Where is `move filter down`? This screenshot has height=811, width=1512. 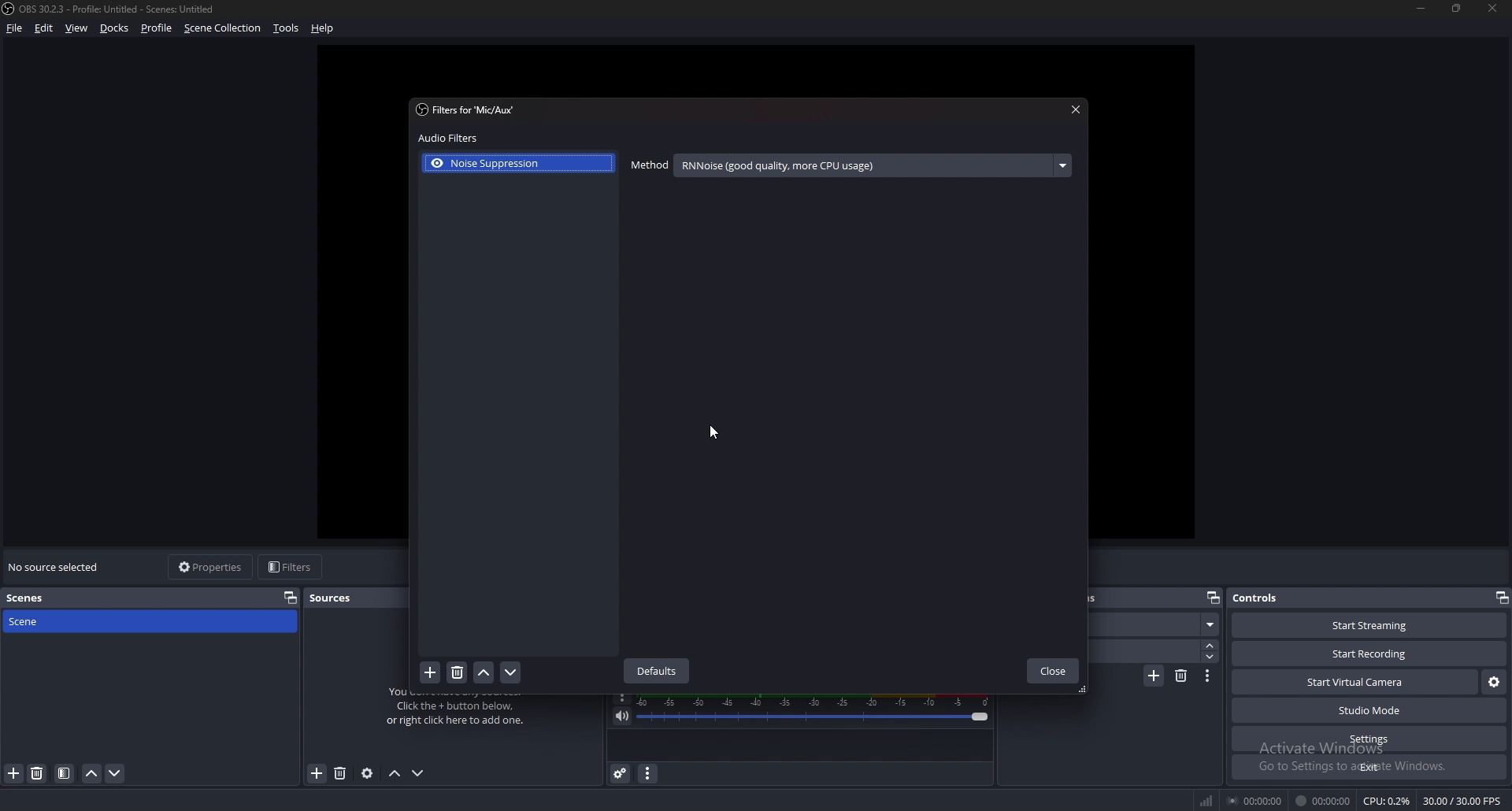 move filter down is located at coordinates (512, 672).